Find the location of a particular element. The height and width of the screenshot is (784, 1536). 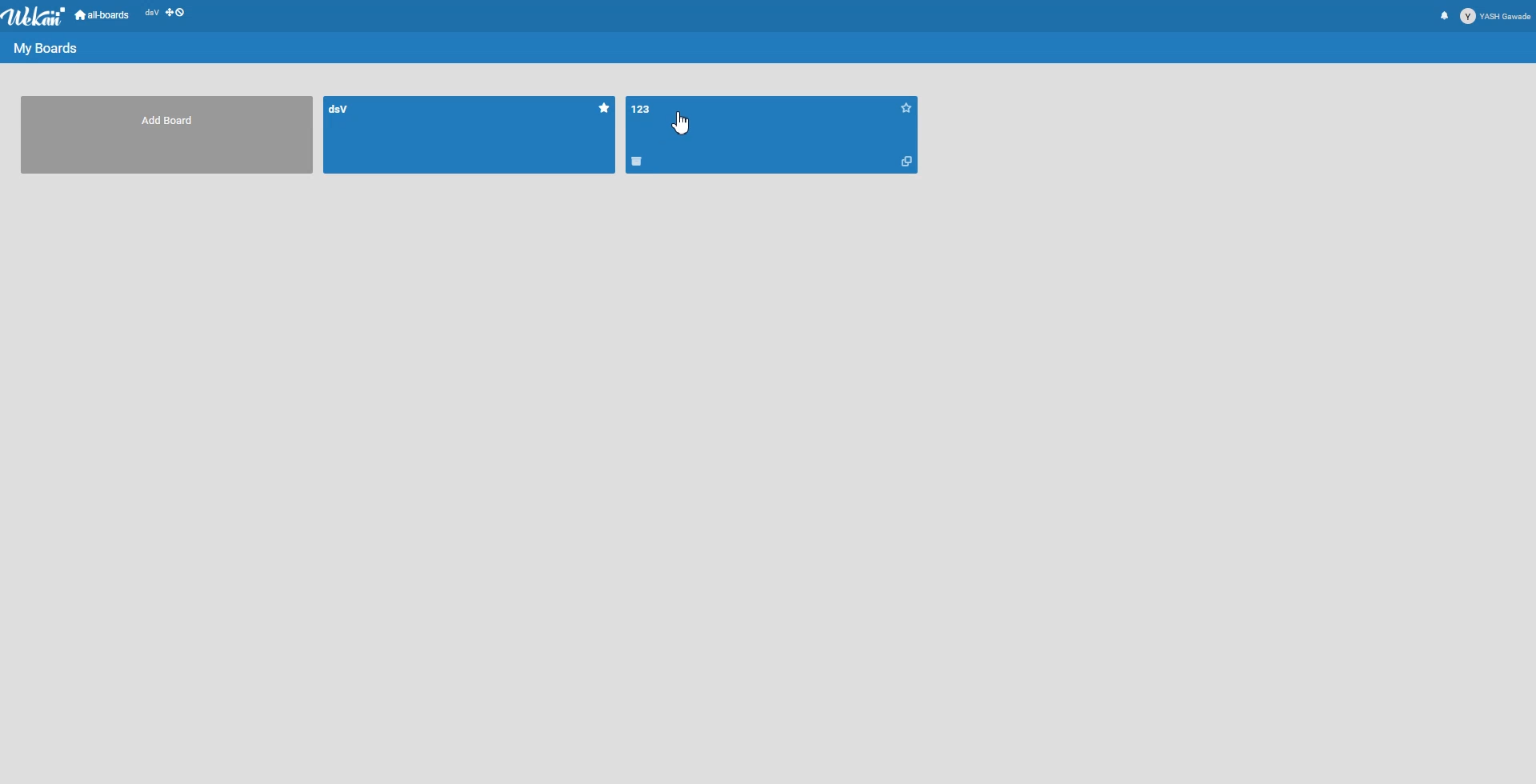

Delete is located at coordinates (636, 162).